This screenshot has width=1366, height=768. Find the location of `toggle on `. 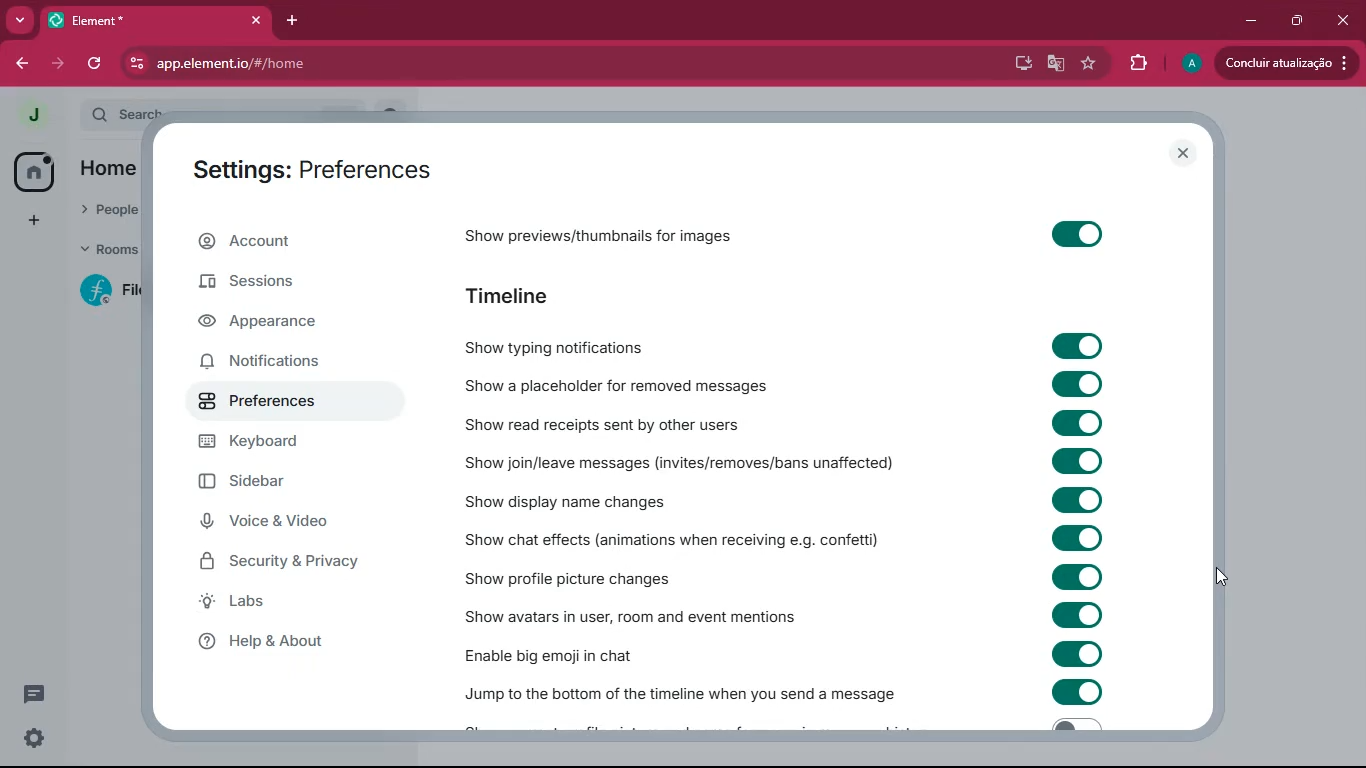

toggle on  is located at coordinates (1078, 537).